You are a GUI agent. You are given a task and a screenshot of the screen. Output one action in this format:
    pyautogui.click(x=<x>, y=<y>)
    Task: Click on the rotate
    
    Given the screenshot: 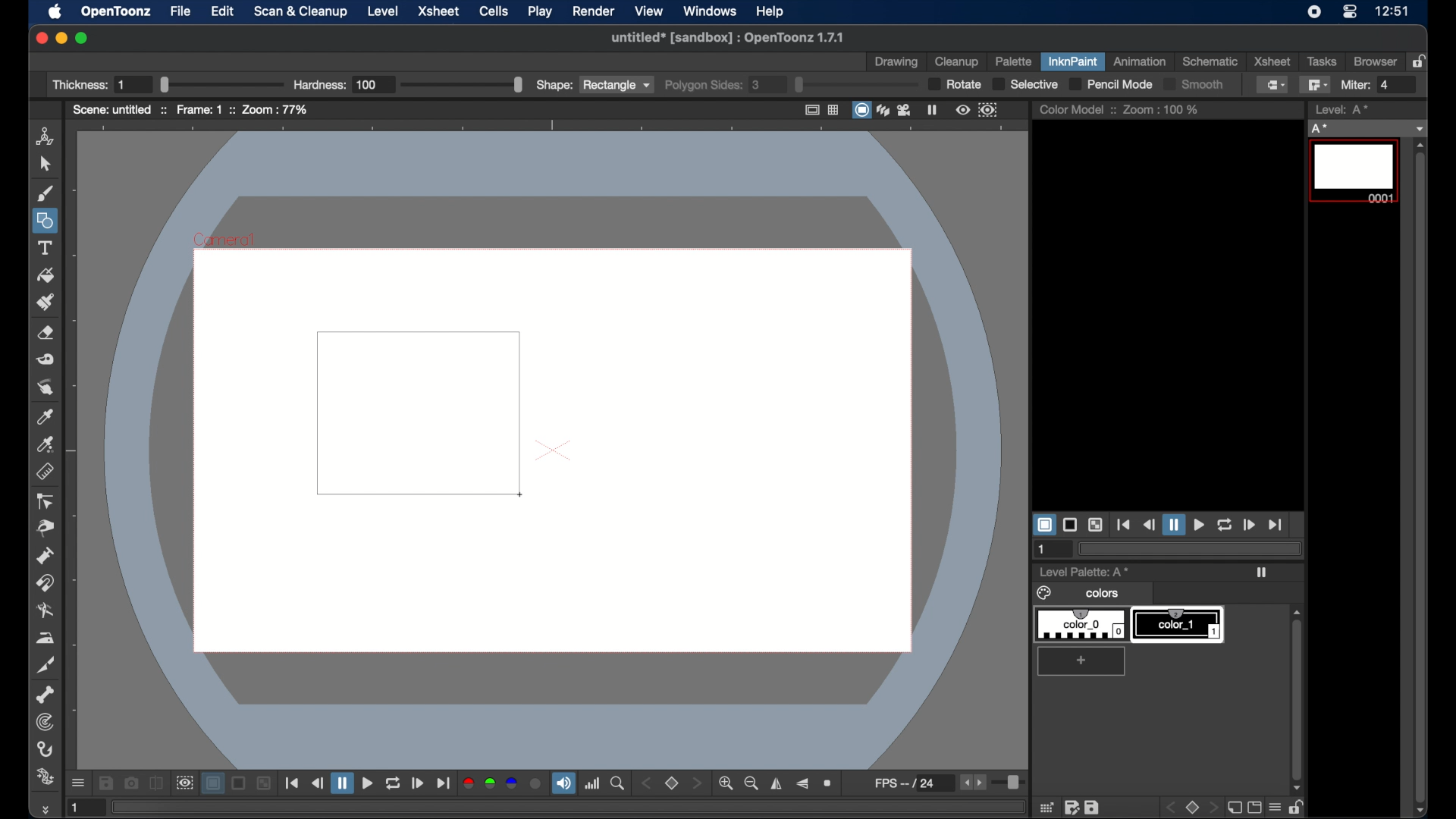 What is the action you would take?
    pyautogui.click(x=955, y=85)
    